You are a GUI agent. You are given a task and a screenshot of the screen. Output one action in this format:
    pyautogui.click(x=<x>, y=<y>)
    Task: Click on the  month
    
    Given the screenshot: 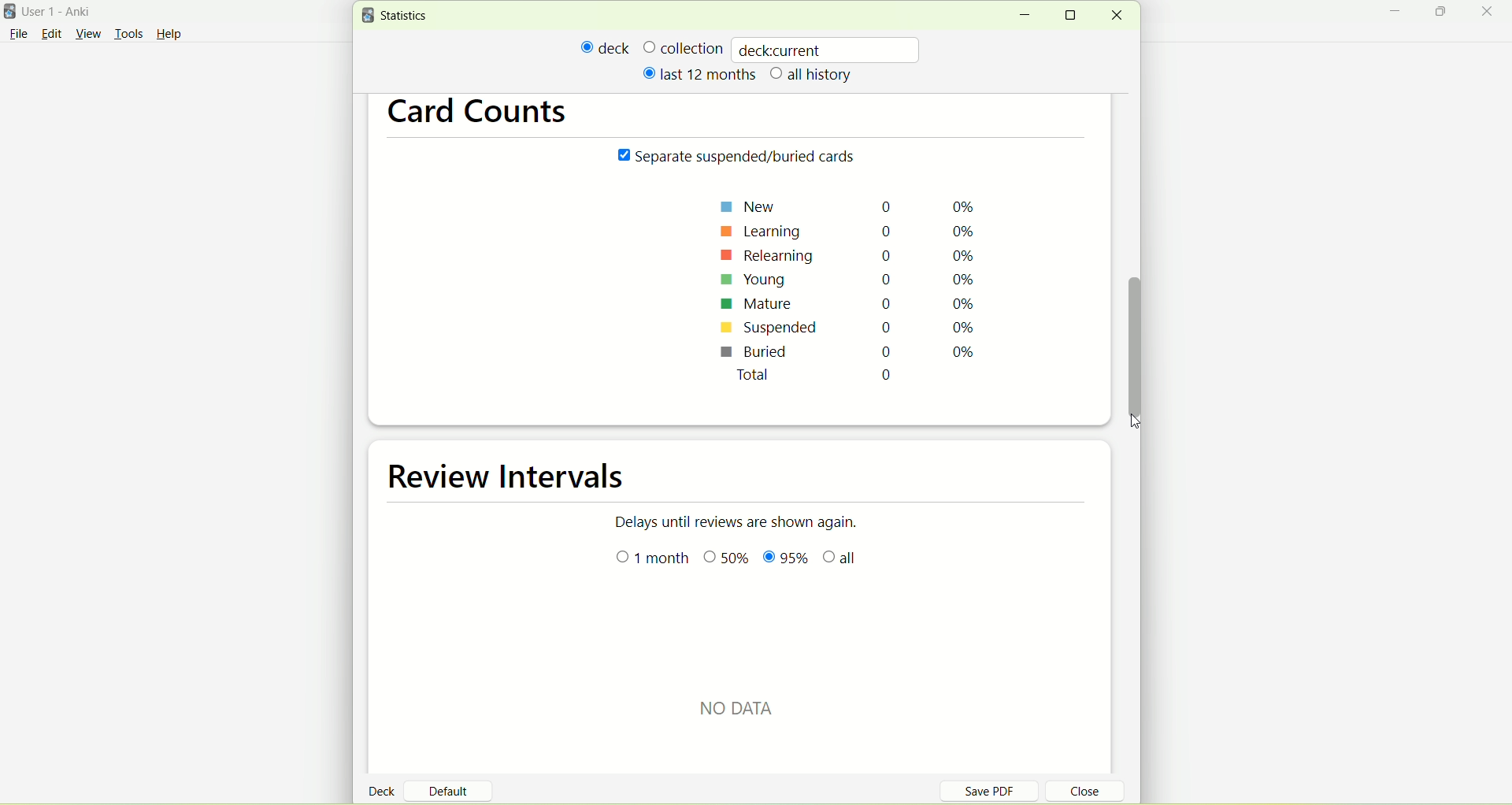 What is the action you would take?
    pyautogui.click(x=654, y=558)
    